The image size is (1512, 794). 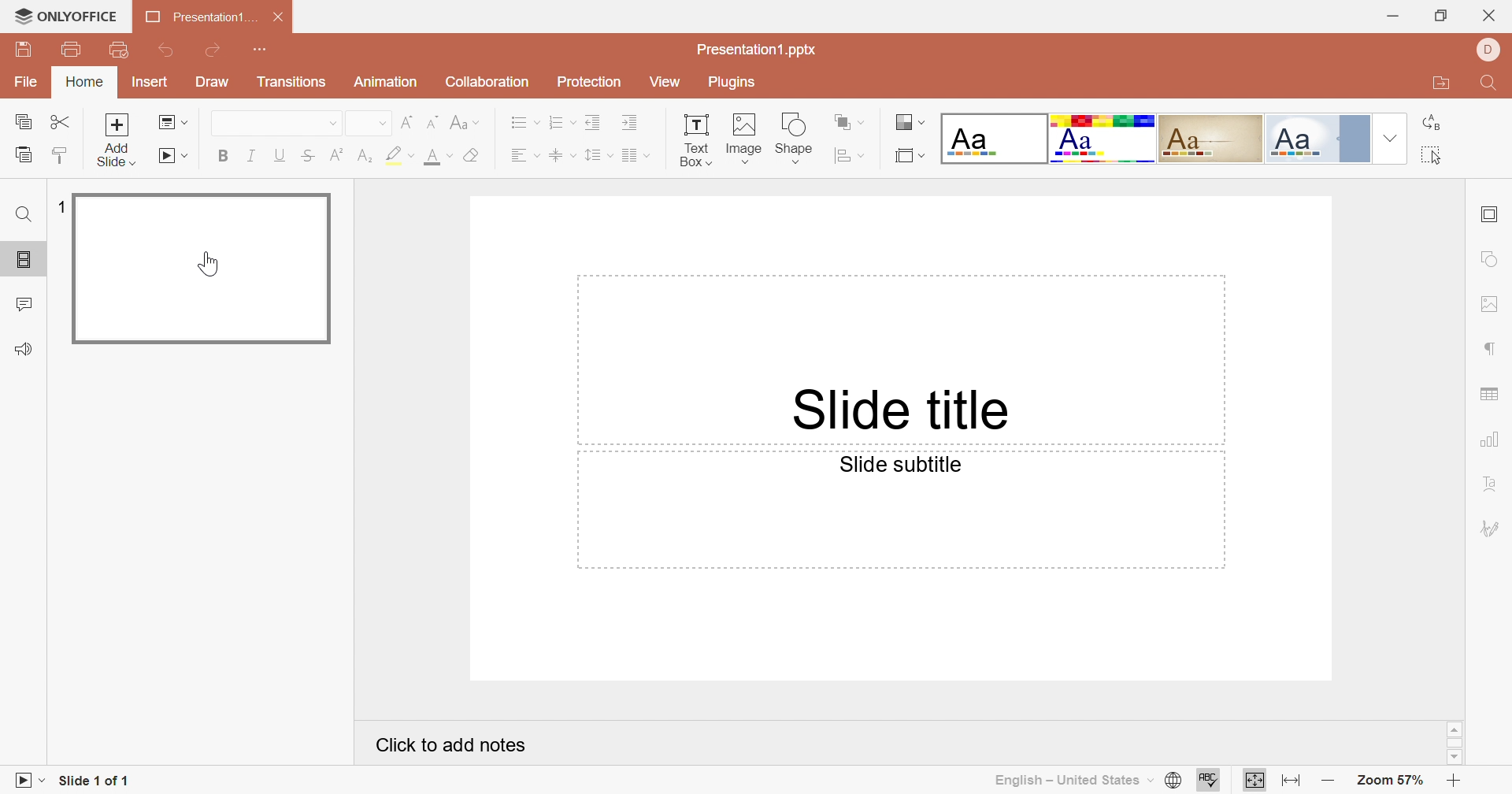 I want to click on Save, so click(x=29, y=48).